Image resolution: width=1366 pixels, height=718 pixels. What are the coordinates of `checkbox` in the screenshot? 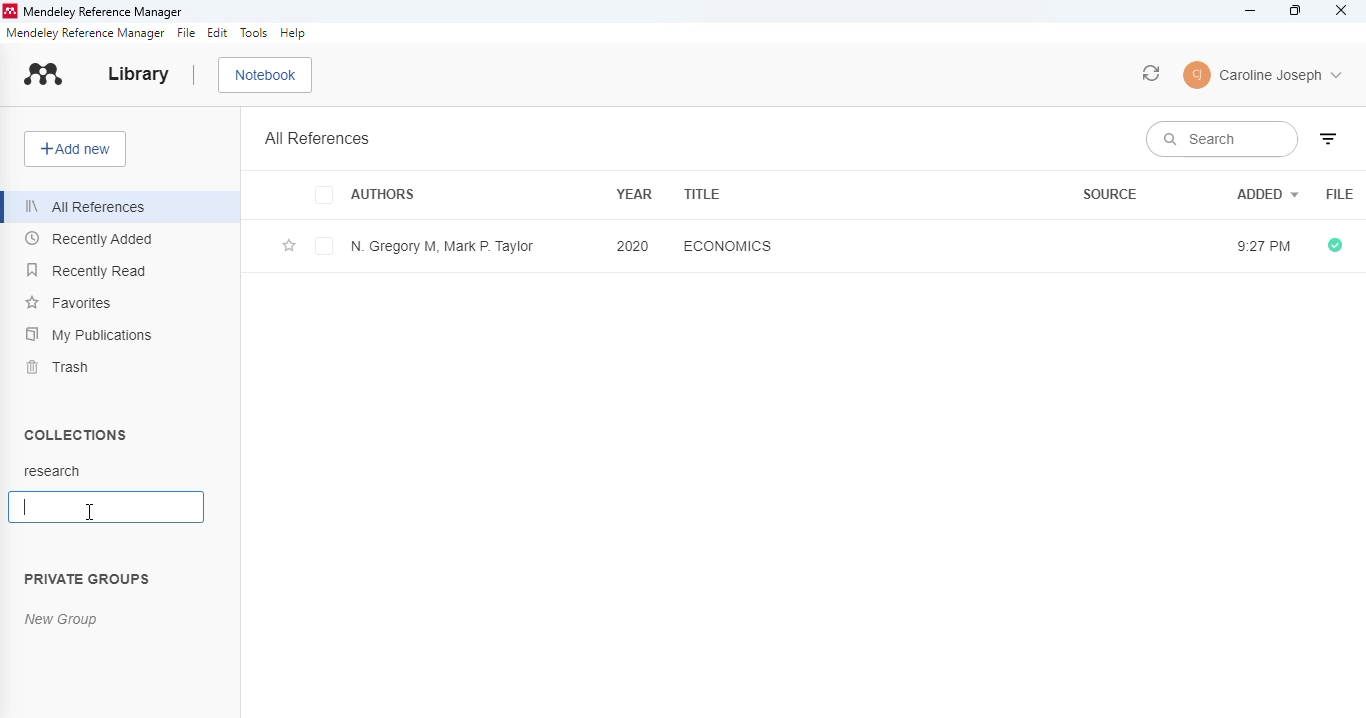 It's located at (325, 246).